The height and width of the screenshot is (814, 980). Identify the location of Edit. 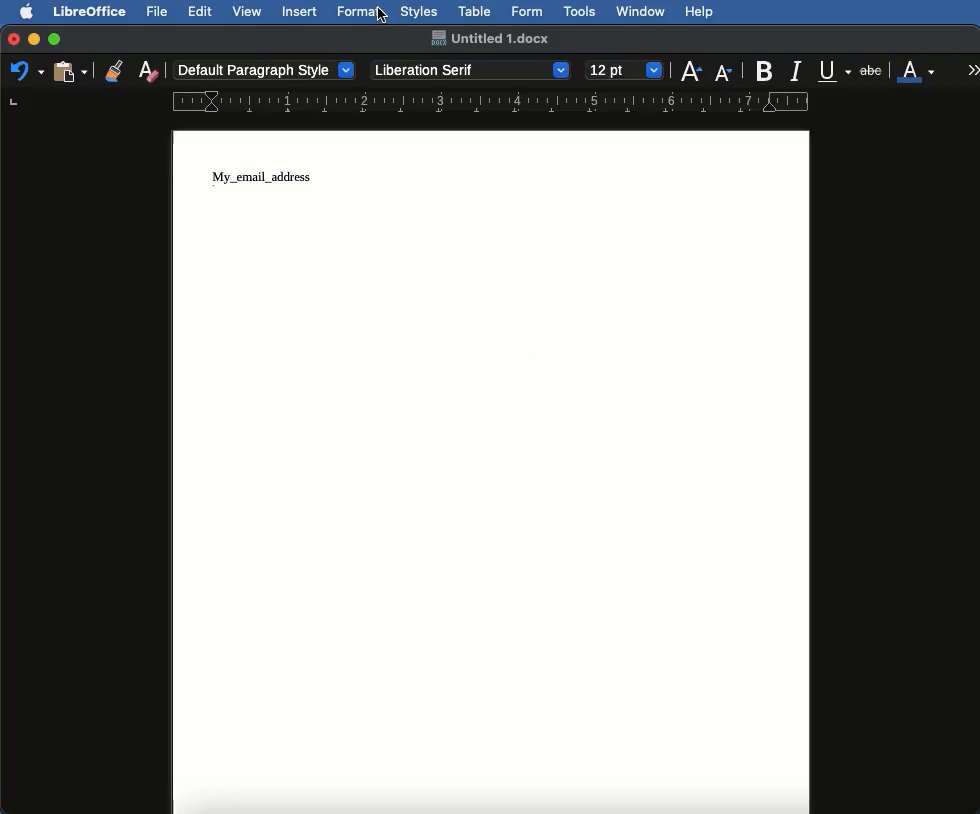
(200, 11).